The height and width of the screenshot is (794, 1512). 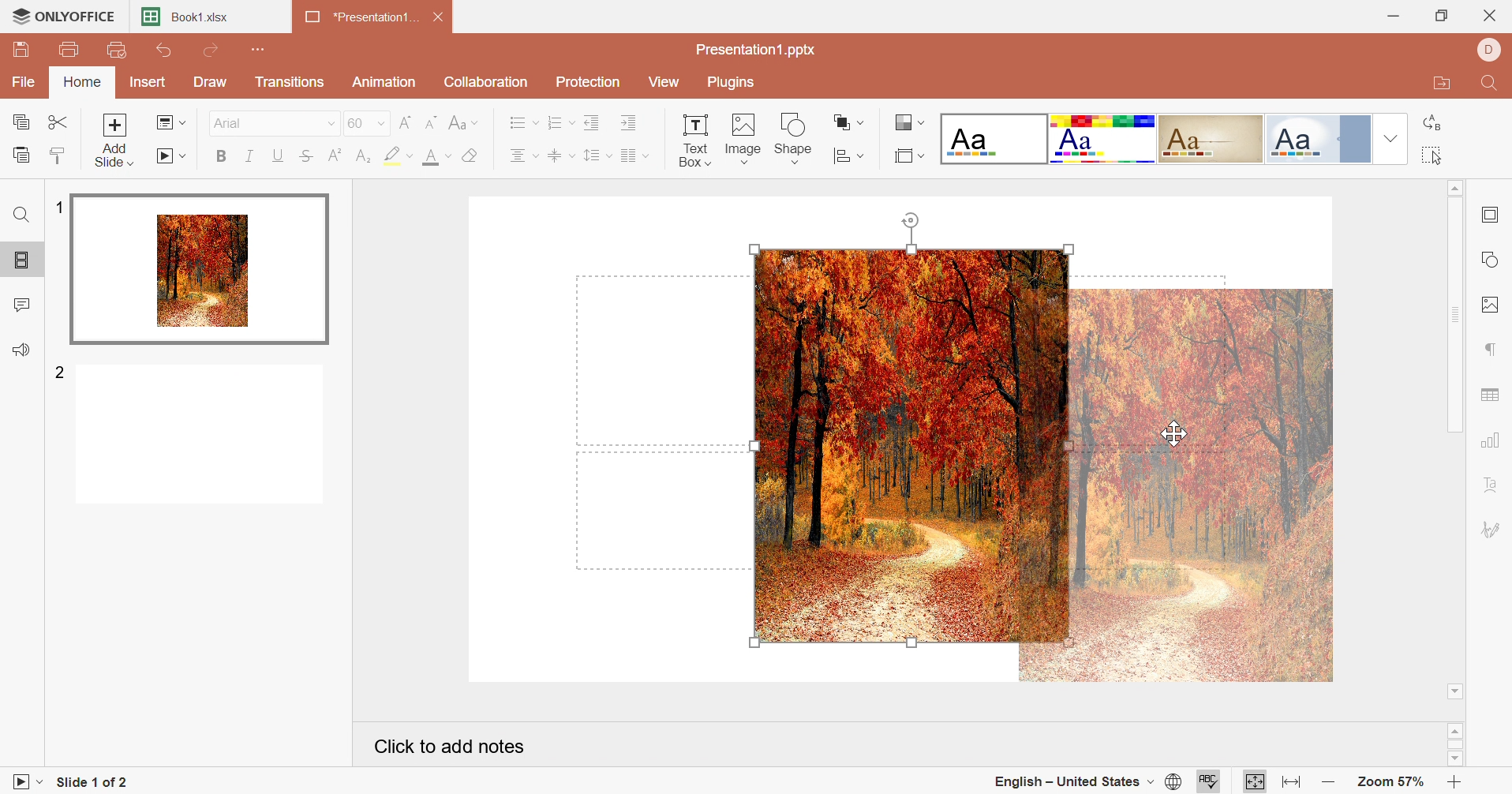 What do you see at coordinates (174, 156) in the screenshot?
I see `Start slideshow` at bounding box center [174, 156].